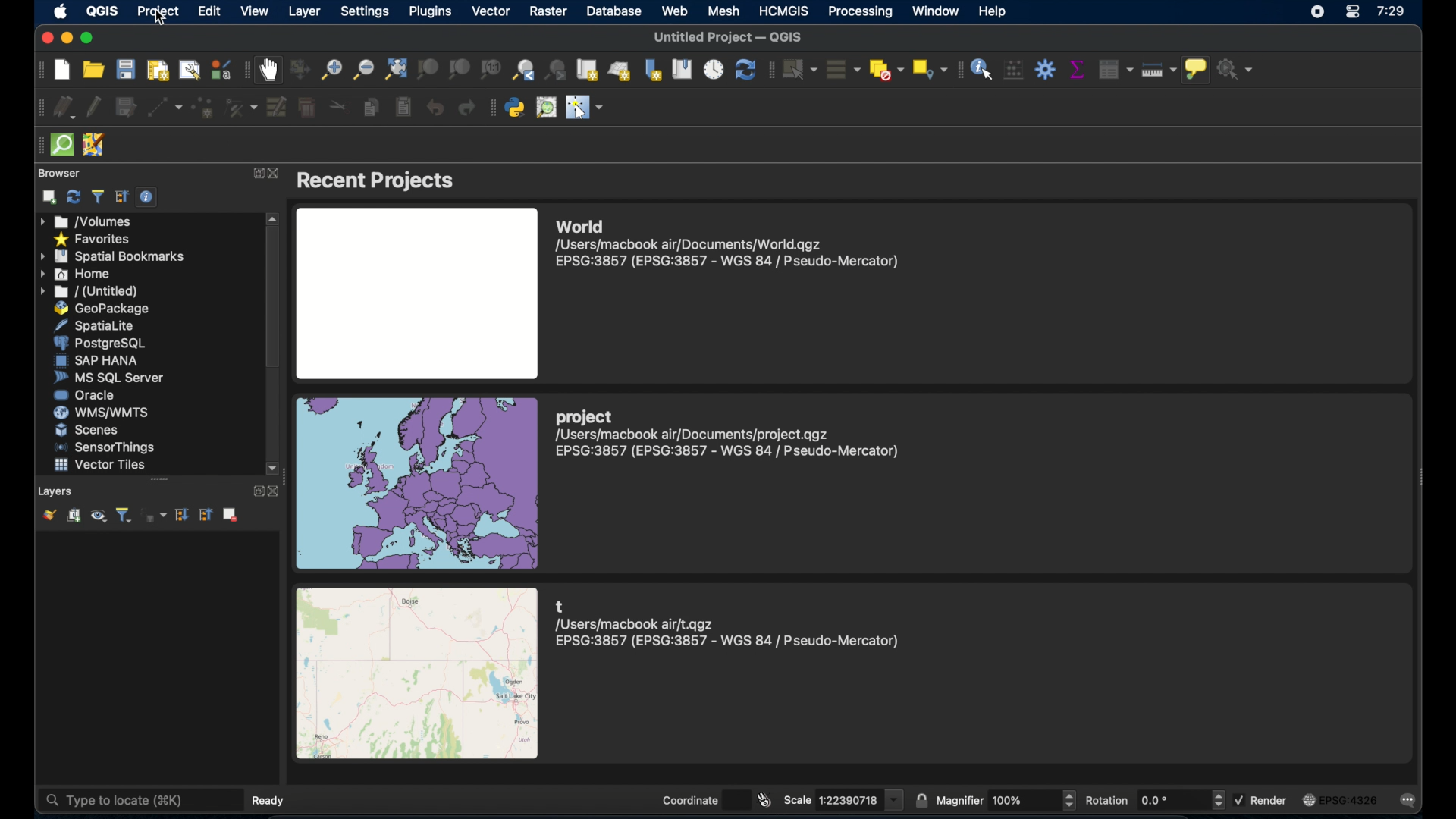  Describe the element at coordinates (1072, 800) in the screenshot. I see `` at that location.